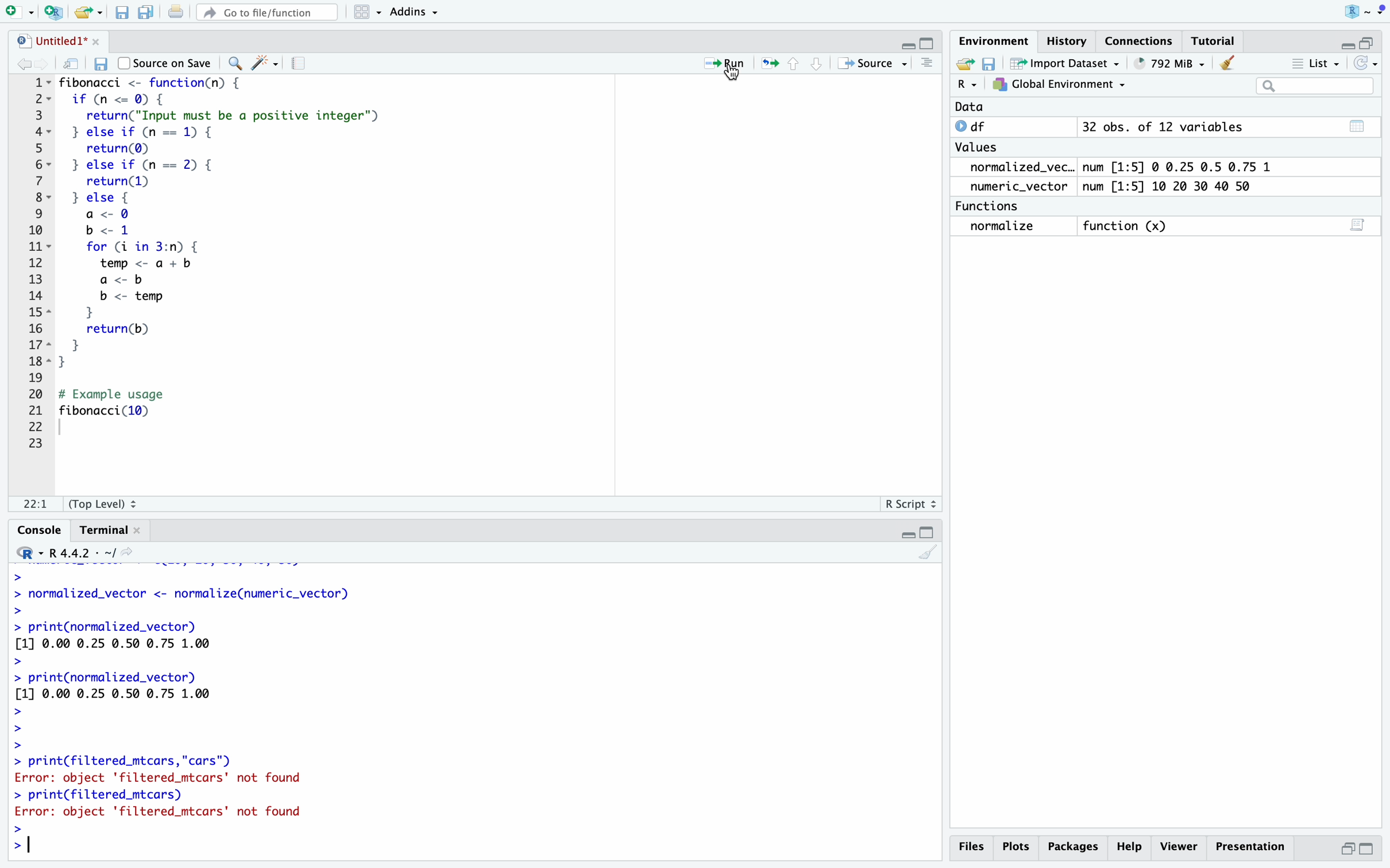  What do you see at coordinates (929, 530) in the screenshot?
I see `maximize` at bounding box center [929, 530].